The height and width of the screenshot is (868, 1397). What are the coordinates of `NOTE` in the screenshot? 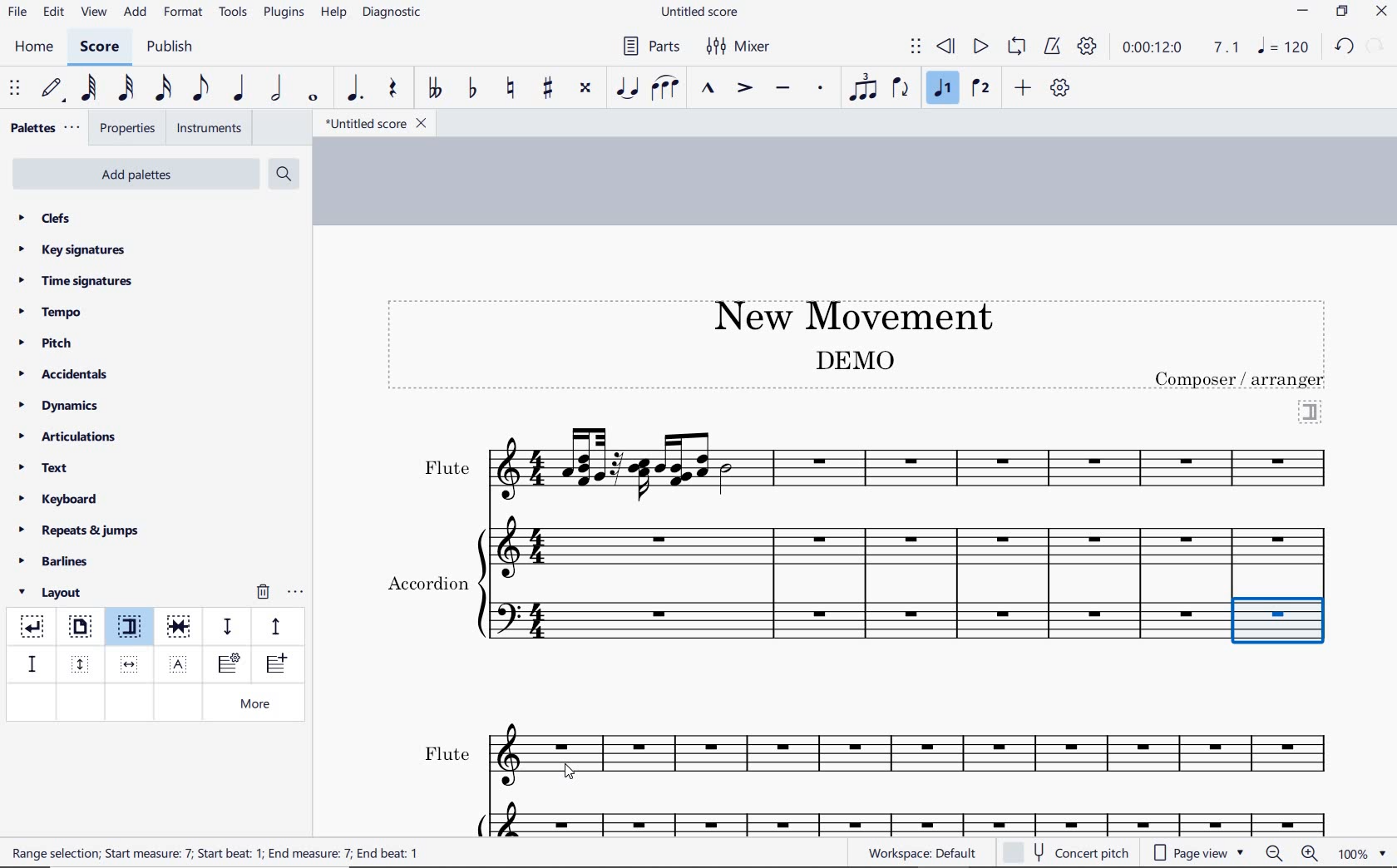 It's located at (1285, 47).